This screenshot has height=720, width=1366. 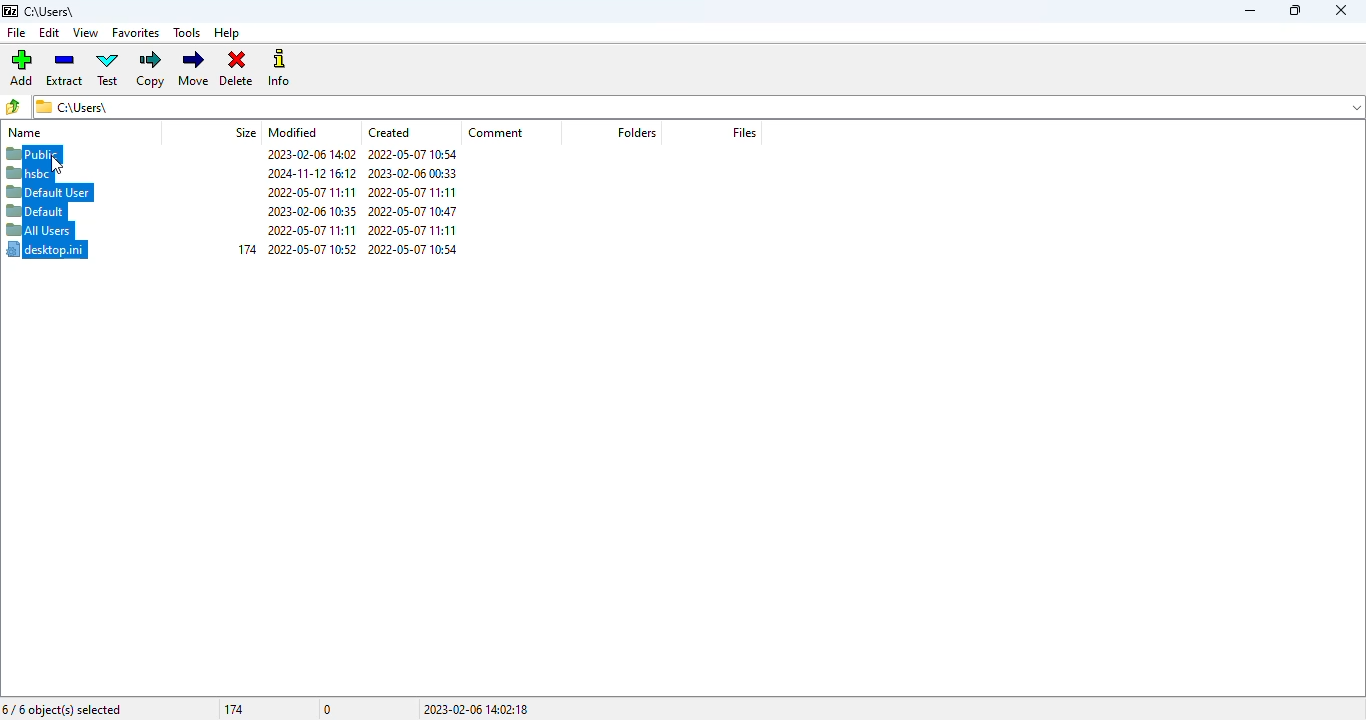 I want to click on size, so click(x=245, y=133).